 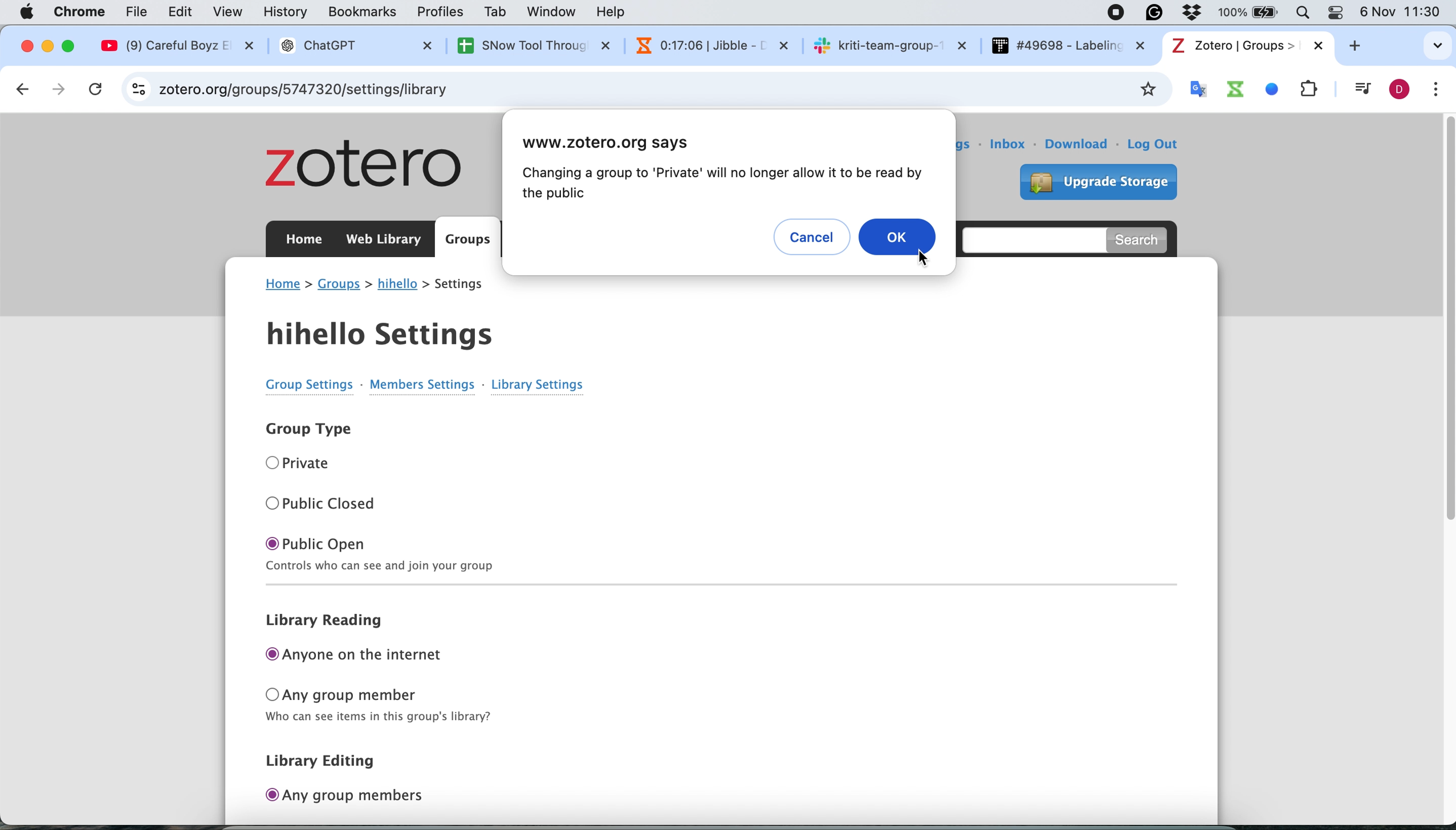 What do you see at coordinates (585, 564) in the screenshot?
I see `Control who can see and join your group` at bounding box center [585, 564].